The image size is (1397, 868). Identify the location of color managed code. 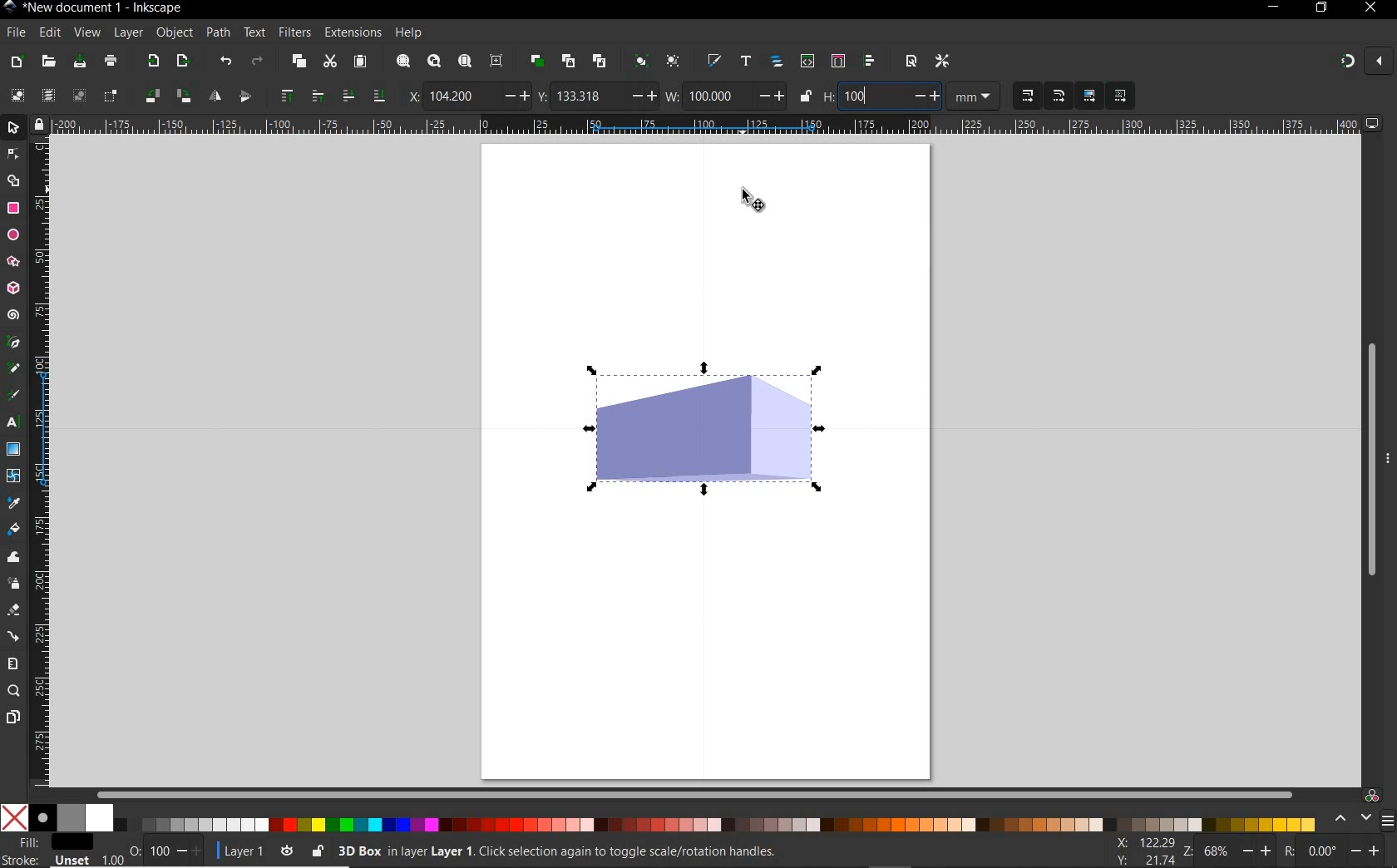
(1372, 796).